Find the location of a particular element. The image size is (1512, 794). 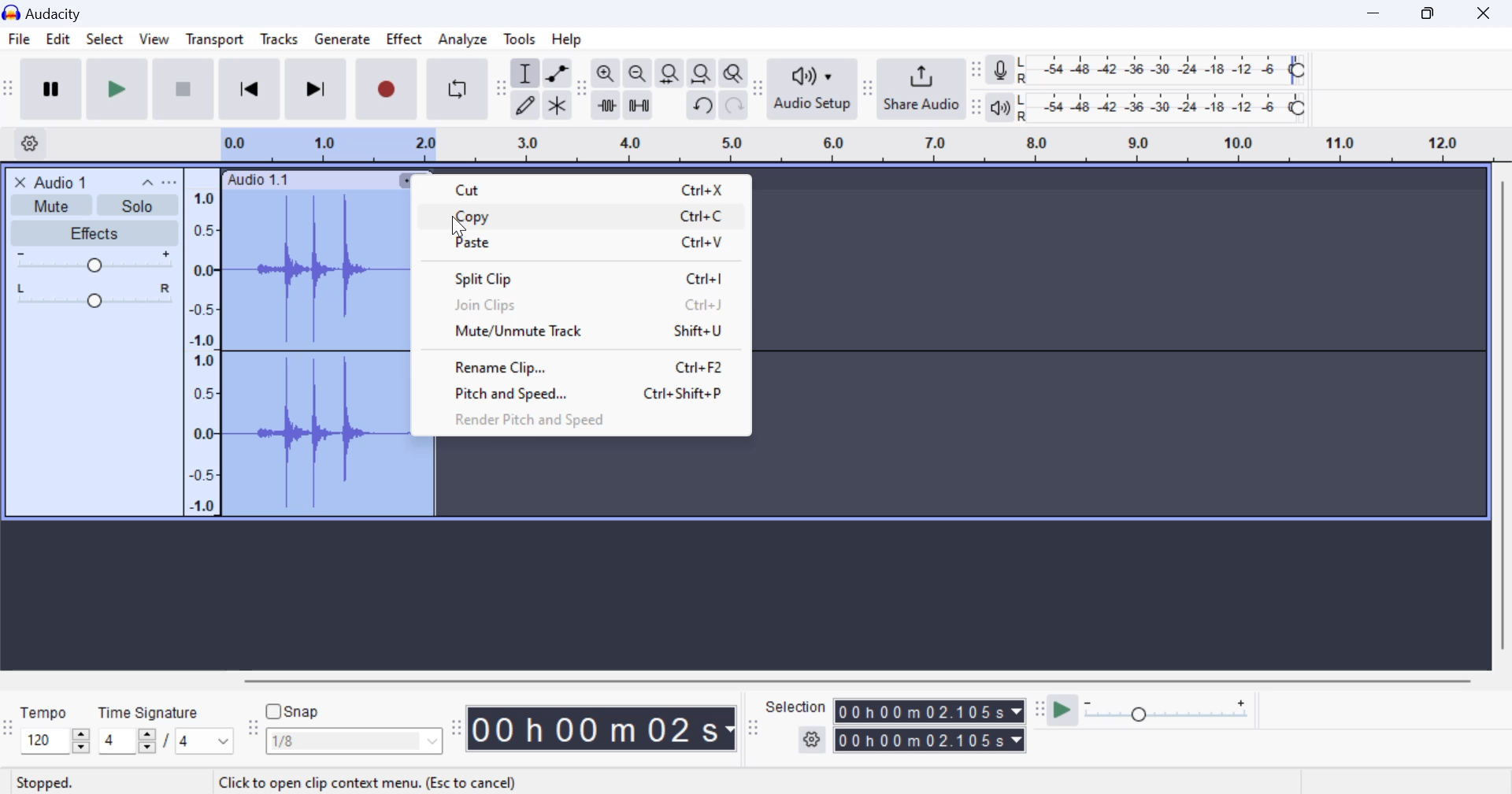

increase or decrease tempo is located at coordinates (54, 740).